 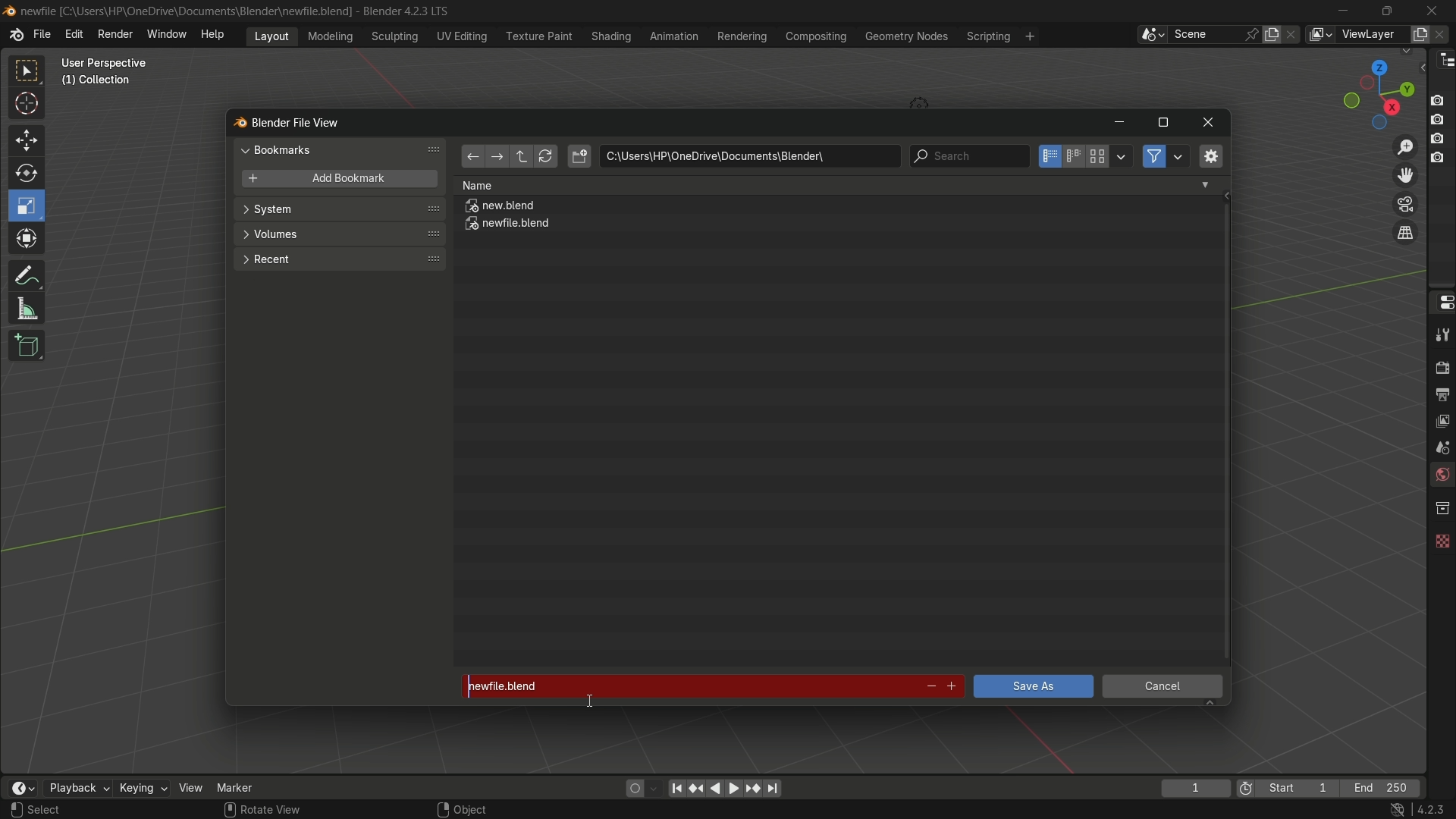 I want to click on maximize or restore, so click(x=1386, y=10).